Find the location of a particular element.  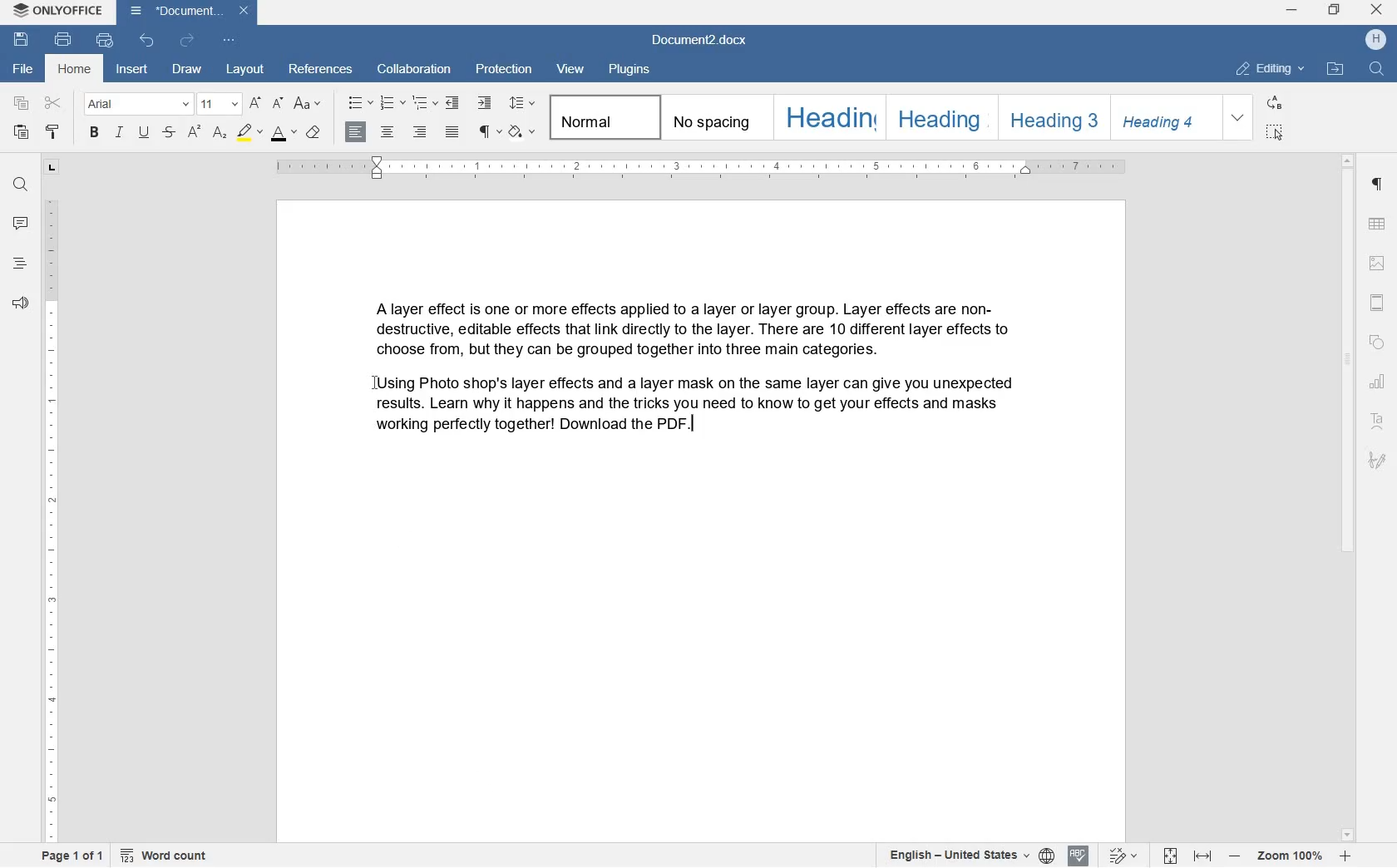

DECREMENT FONT SIZE is located at coordinates (279, 102).